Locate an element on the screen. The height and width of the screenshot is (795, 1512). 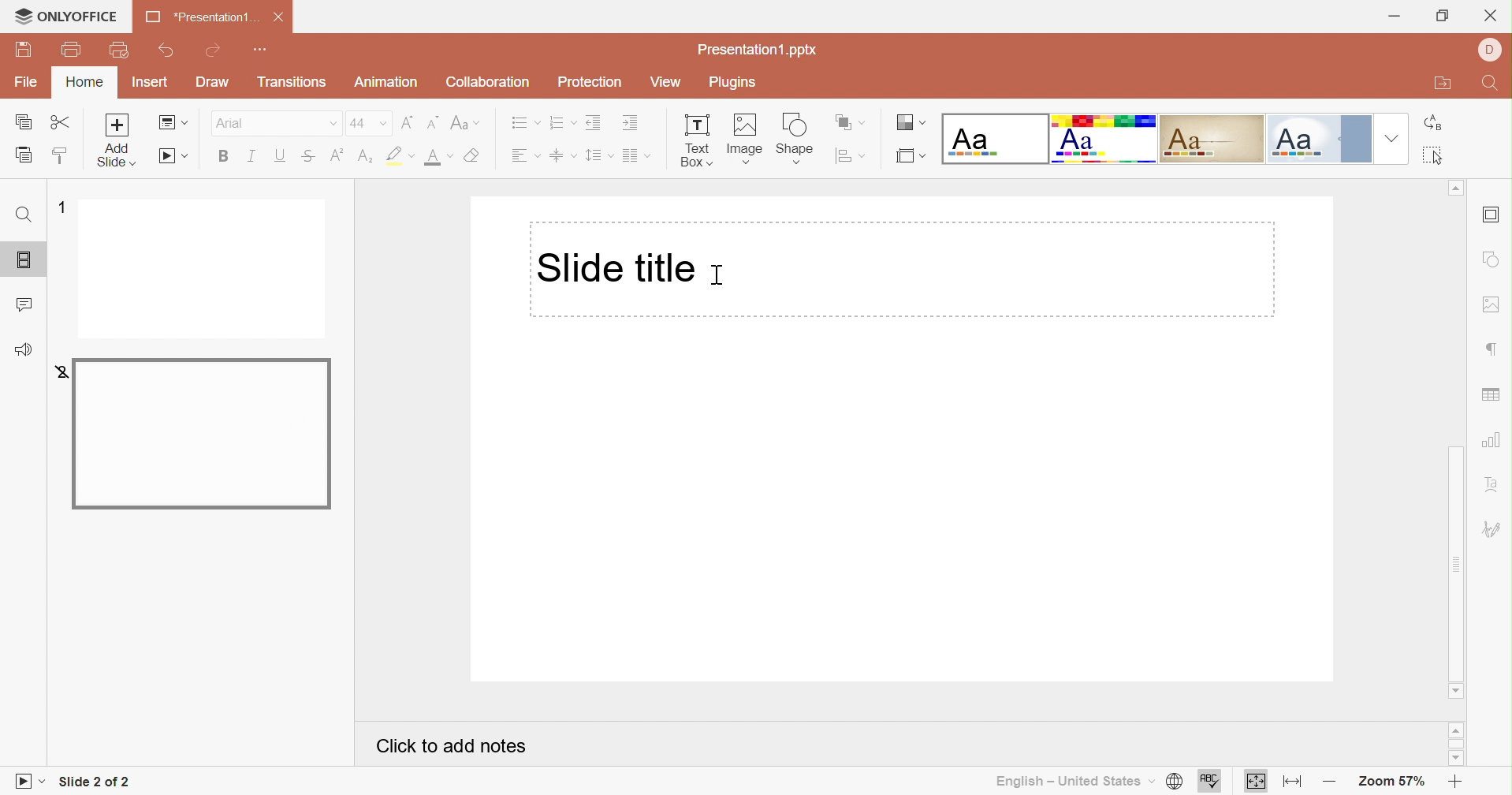
Scroll bar is located at coordinates (1455, 562).